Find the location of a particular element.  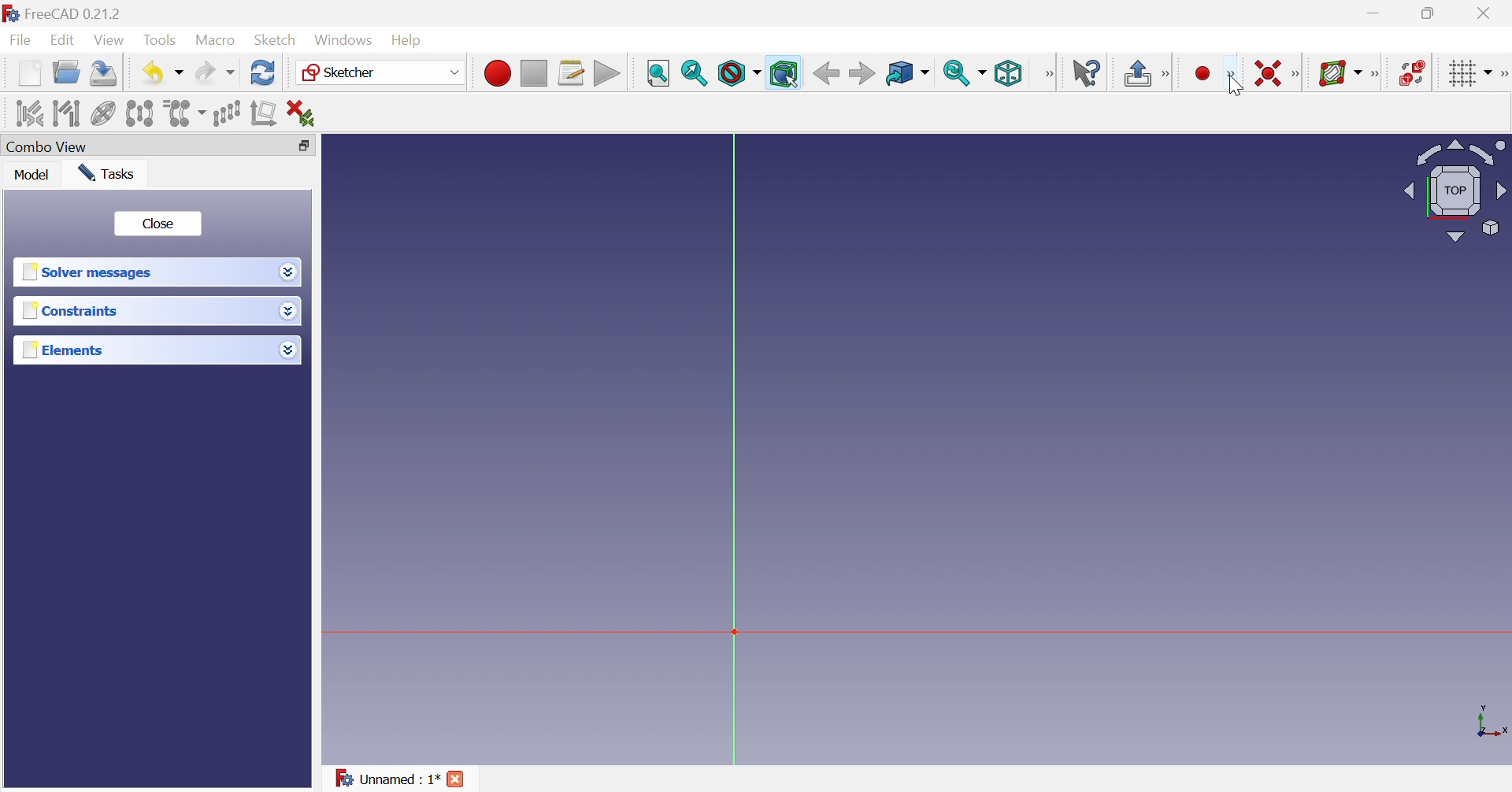

New is located at coordinates (29, 72).